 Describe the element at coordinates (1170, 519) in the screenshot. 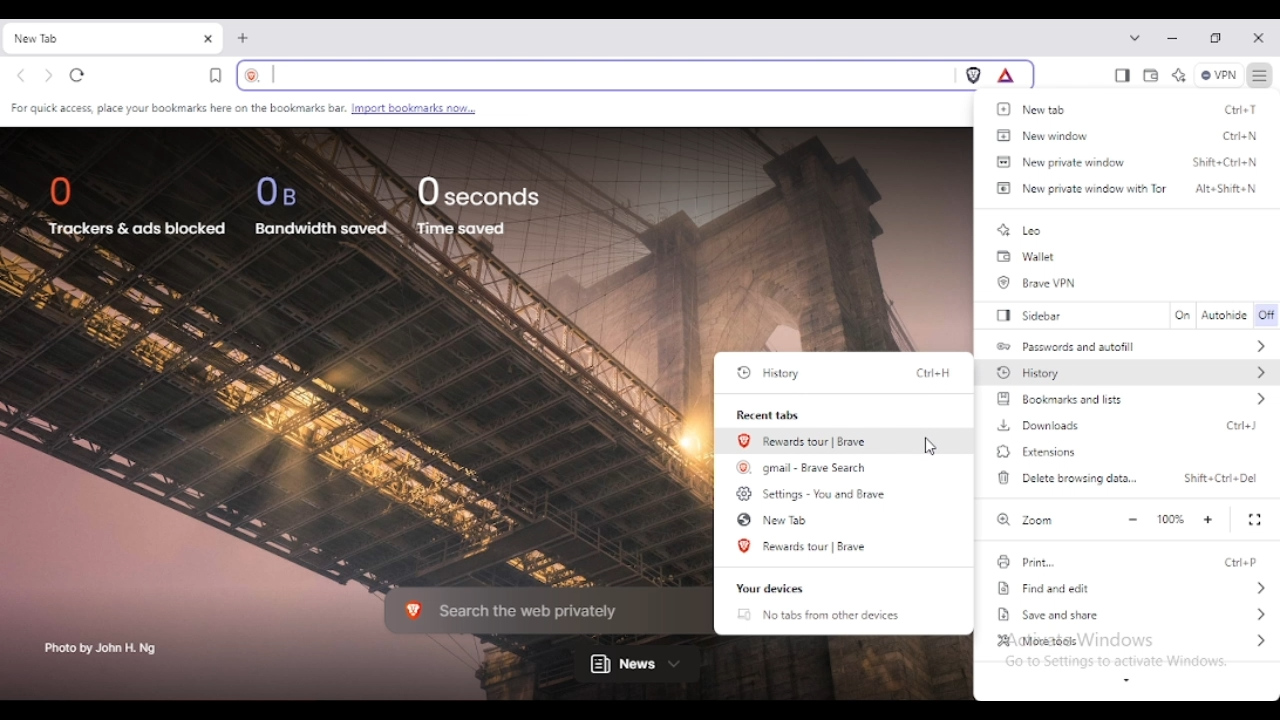

I see `100%` at that location.